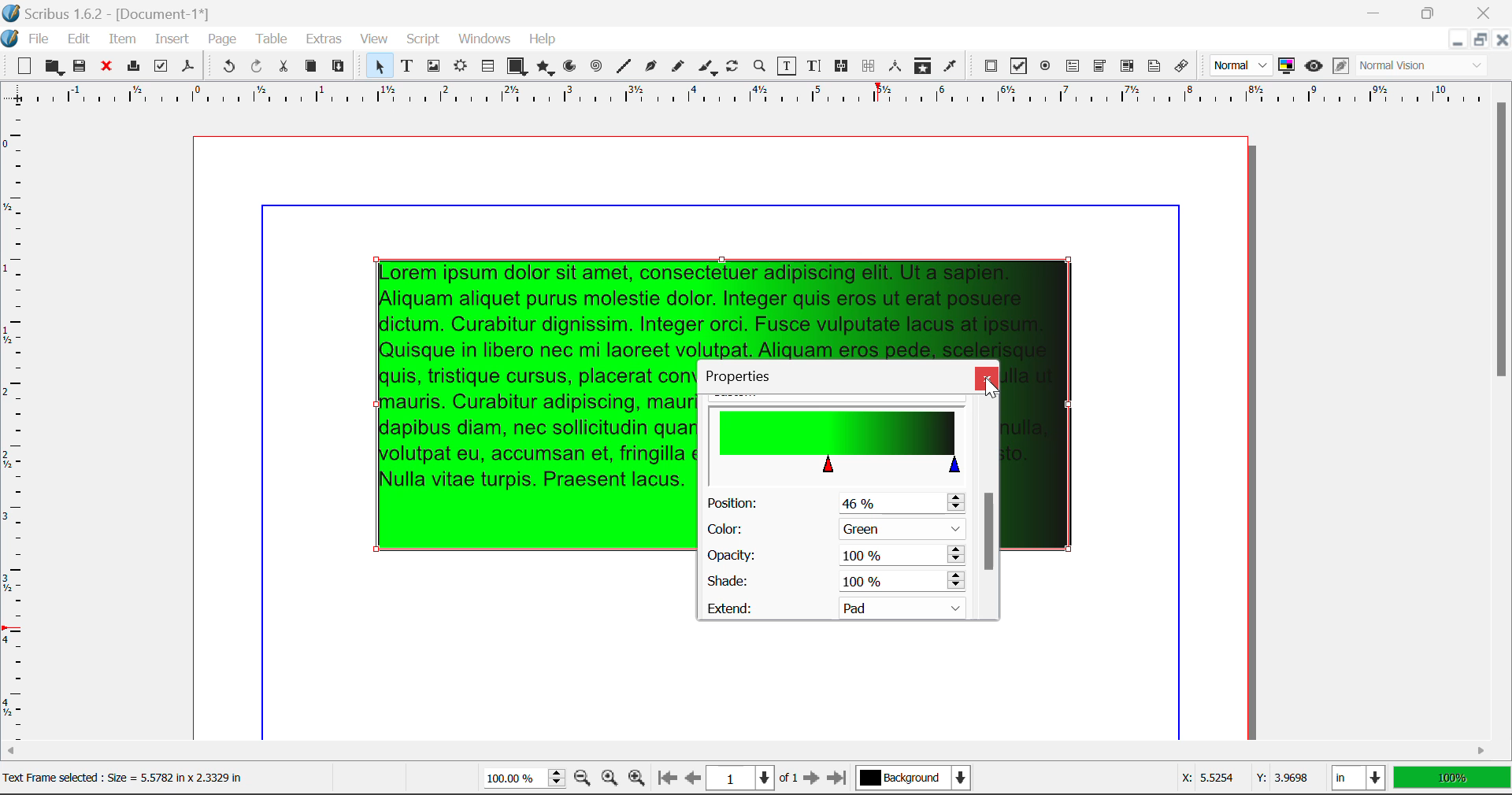 This screenshot has width=1512, height=795. What do you see at coordinates (460, 68) in the screenshot?
I see `Render Frame` at bounding box center [460, 68].